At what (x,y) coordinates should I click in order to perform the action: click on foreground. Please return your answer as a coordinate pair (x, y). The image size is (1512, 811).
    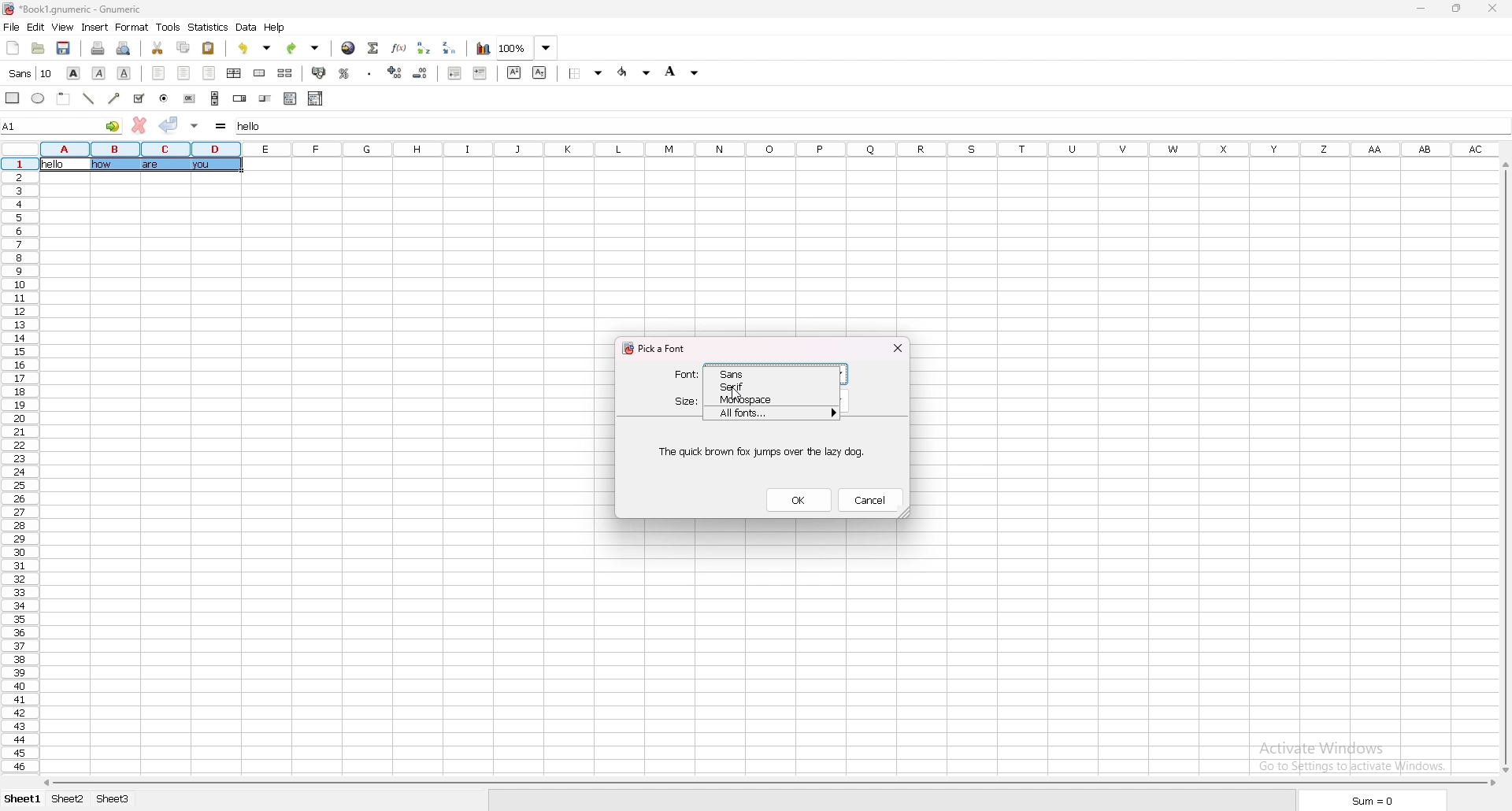
    Looking at the image, I should click on (634, 72).